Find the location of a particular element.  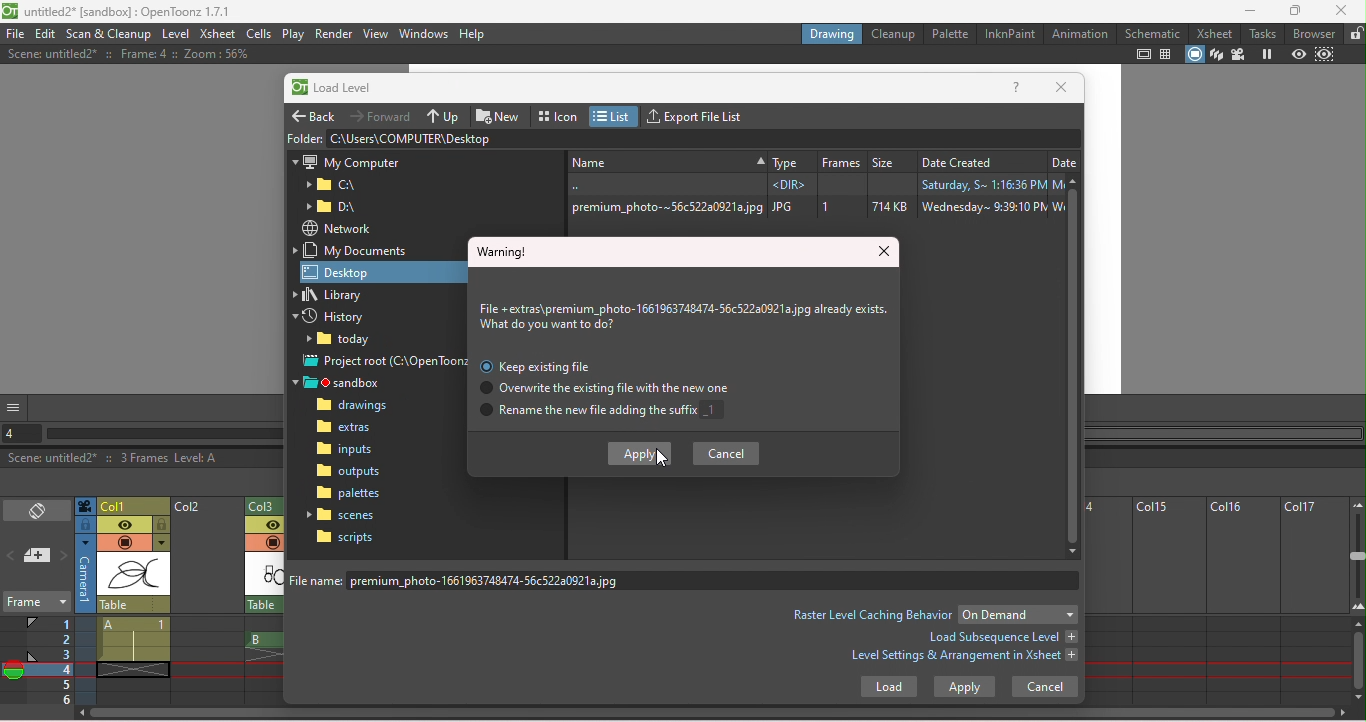

click to select camera is located at coordinates (85, 525).